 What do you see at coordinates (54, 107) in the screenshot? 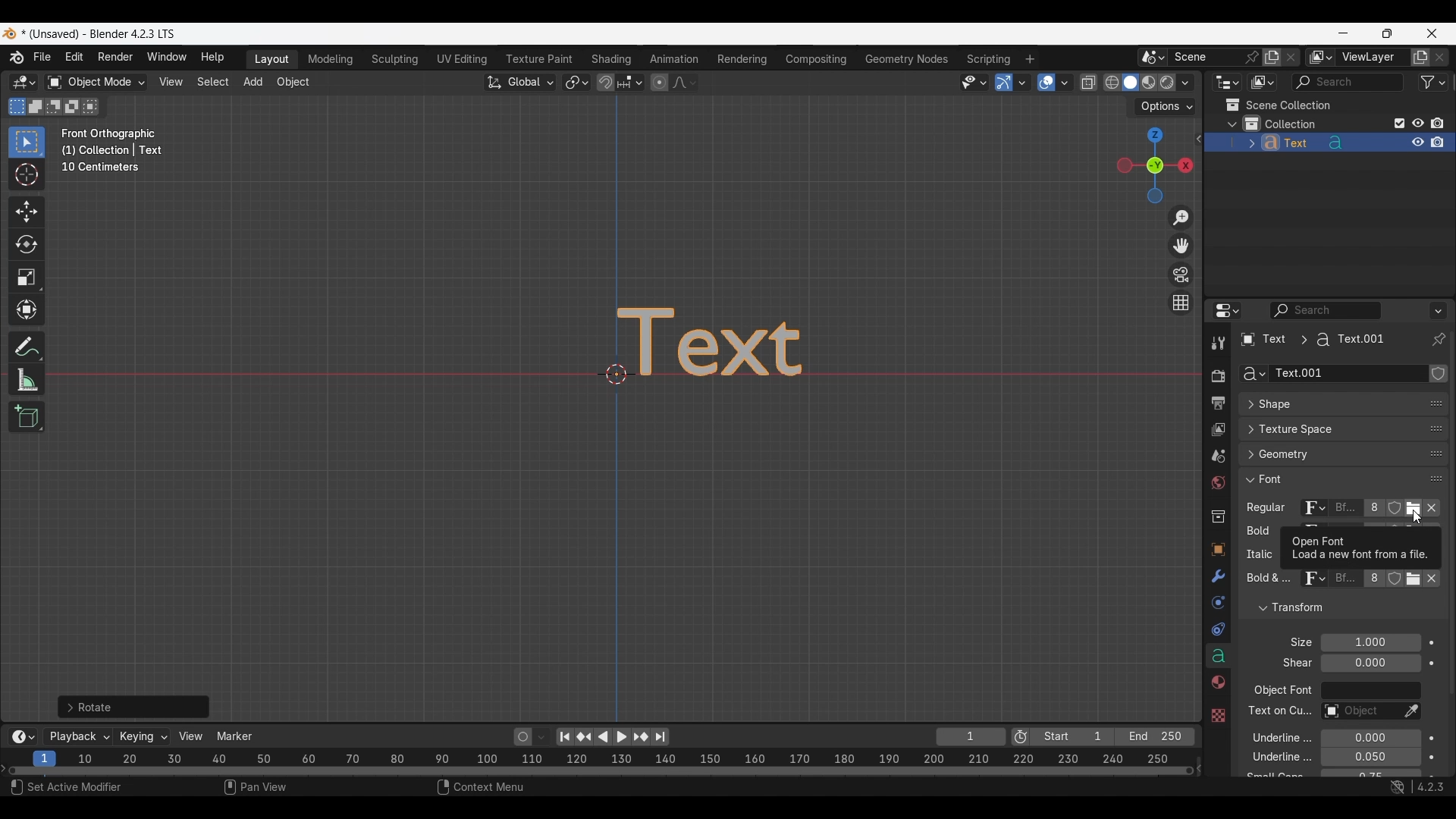
I see `Subtract existing selection` at bounding box center [54, 107].